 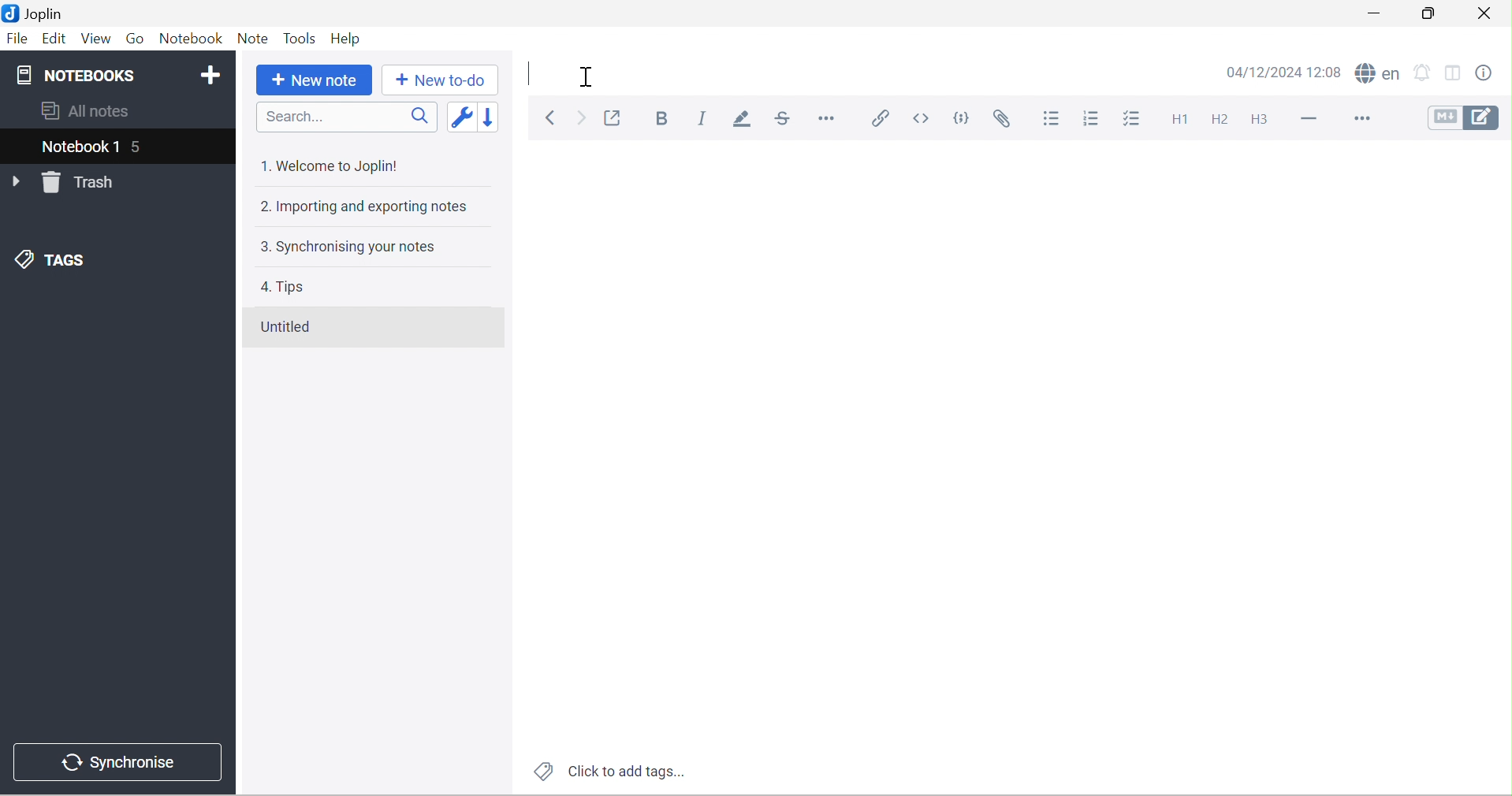 What do you see at coordinates (1487, 15) in the screenshot?
I see `Close` at bounding box center [1487, 15].